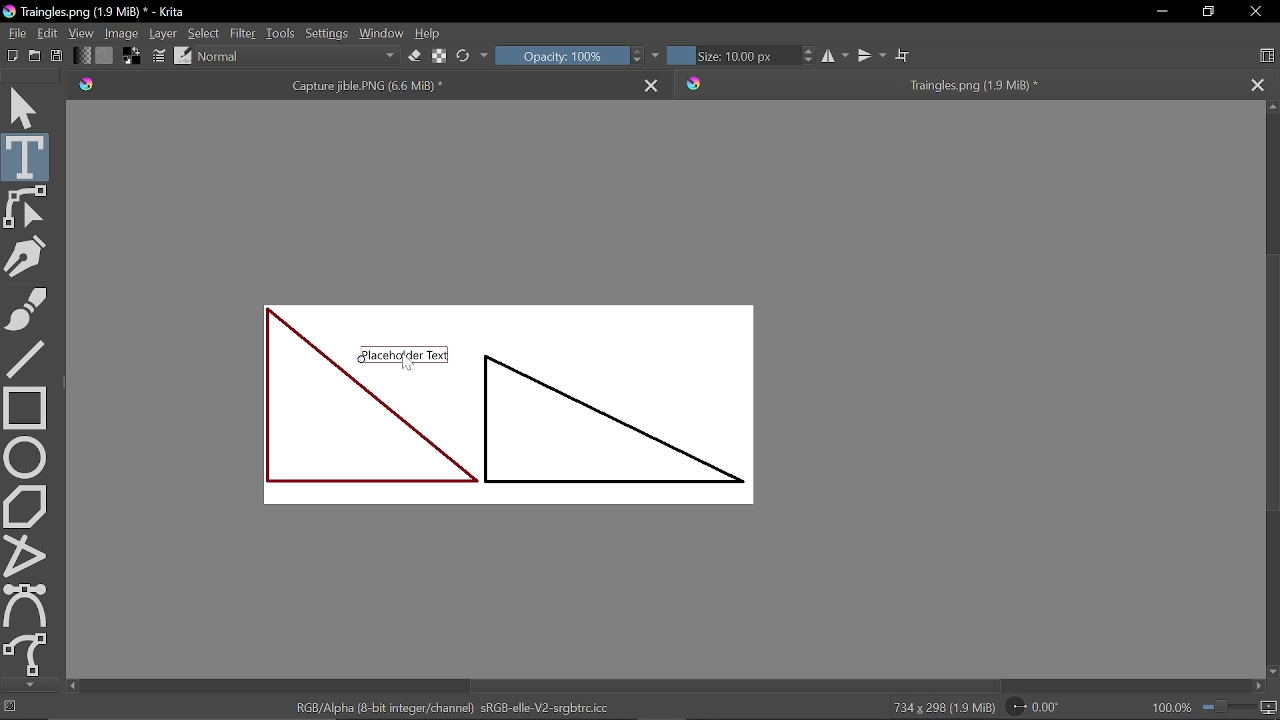  Describe the element at coordinates (558, 56) in the screenshot. I see `Opacity: 100%` at that location.